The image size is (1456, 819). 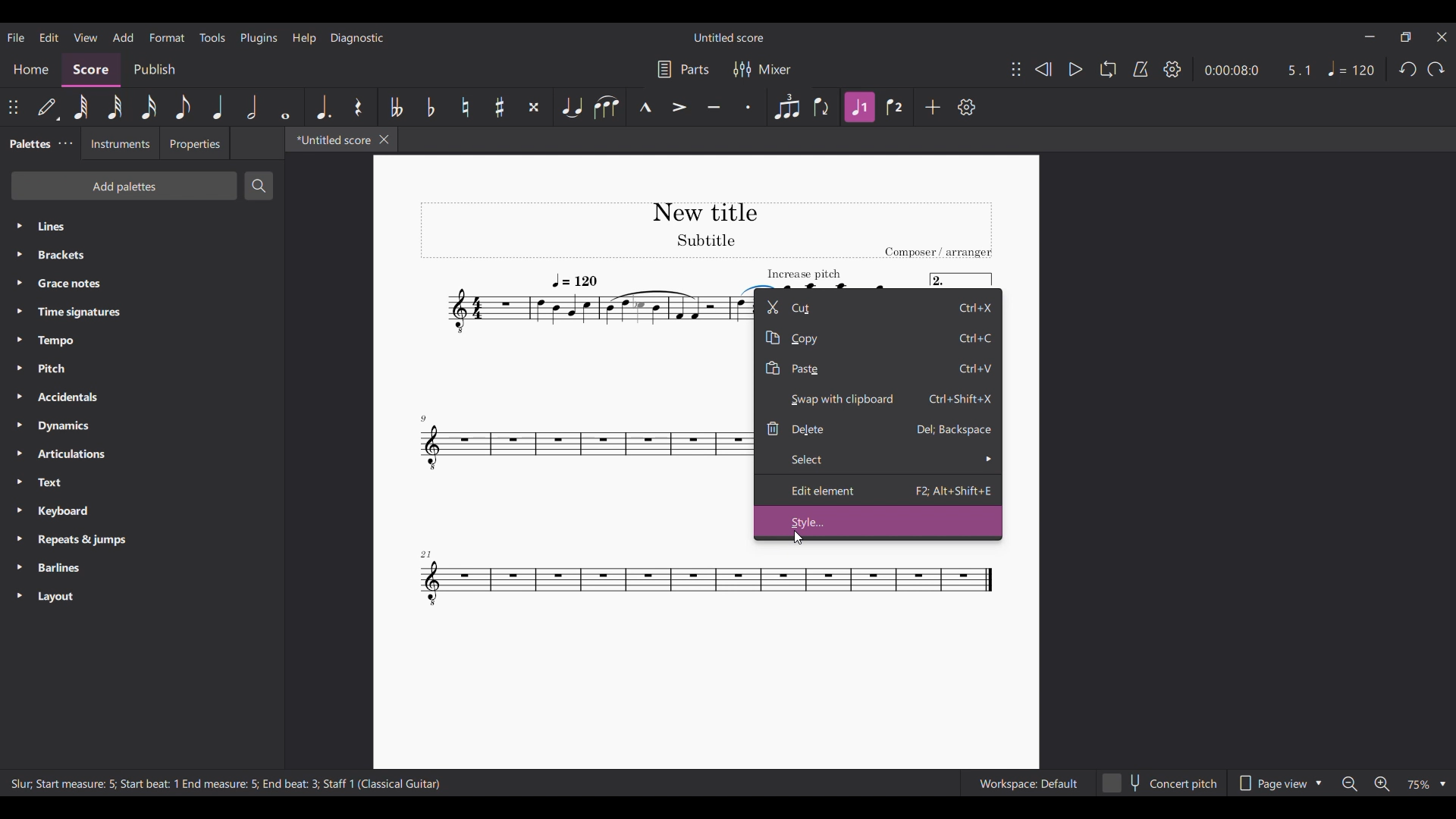 I want to click on Mixer settings, so click(x=762, y=69).